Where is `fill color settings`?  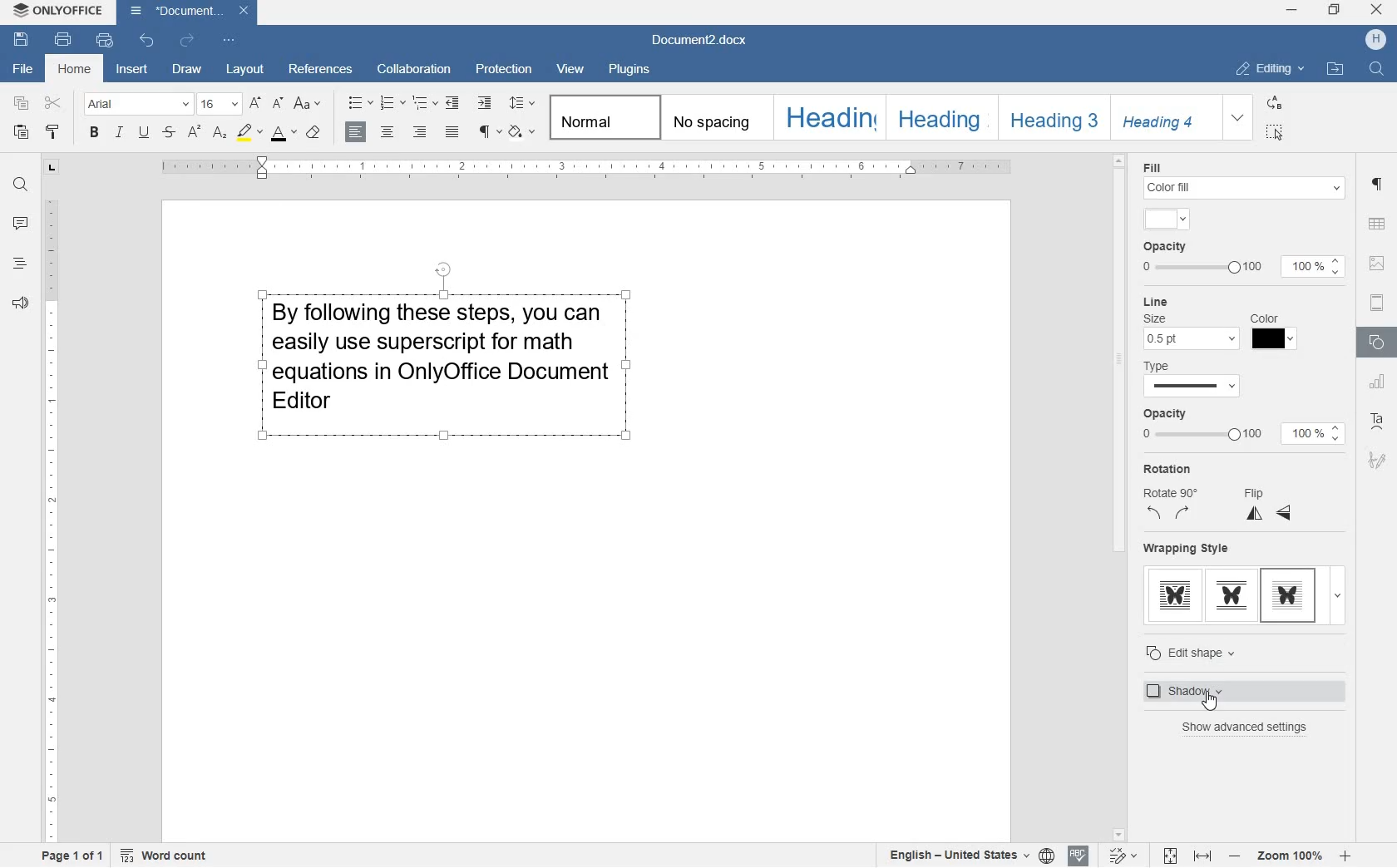
fill color settings is located at coordinates (1242, 179).